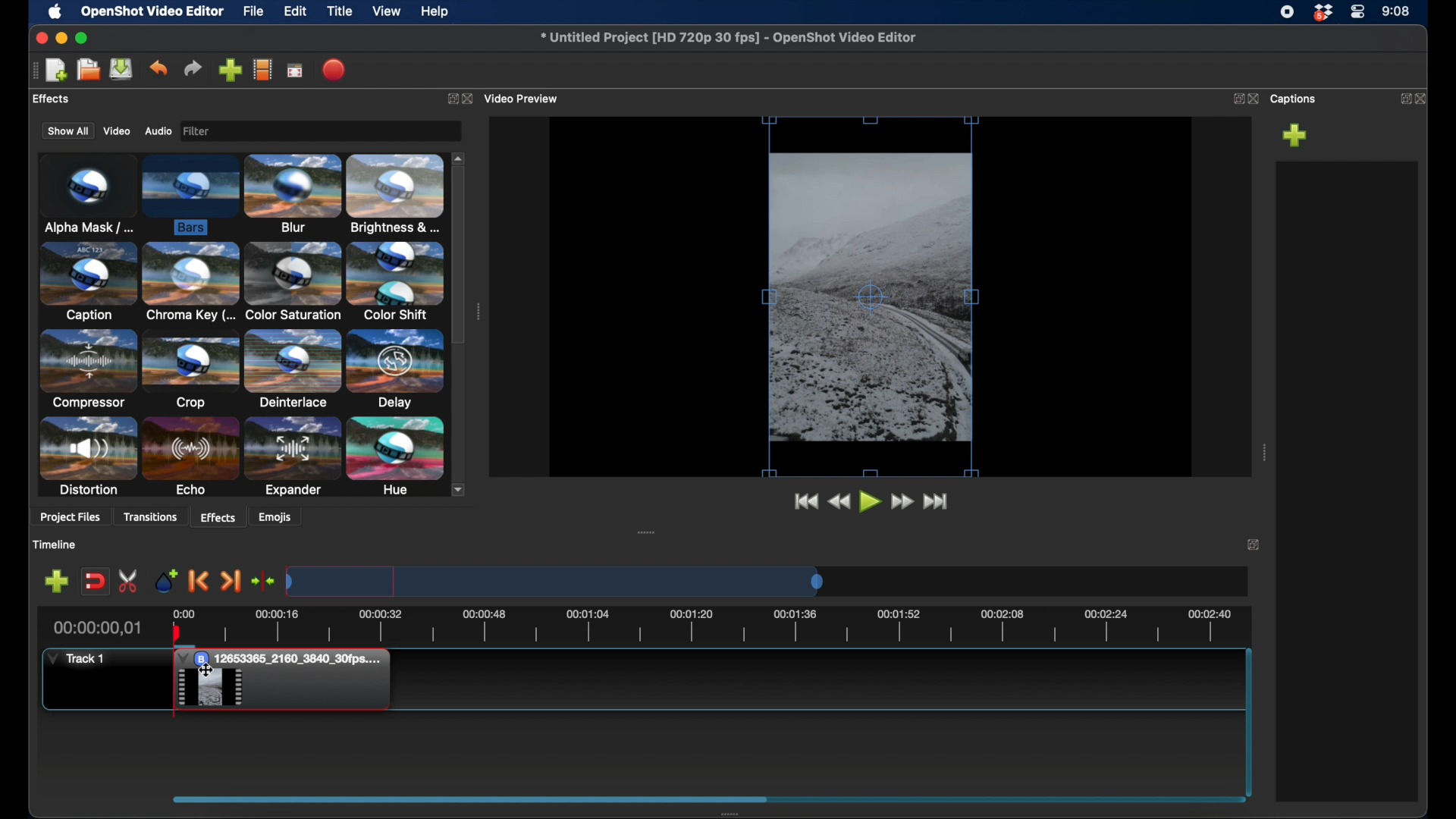 This screenshot has height=819, width=1456. What do you see at coordinates (193, 68) in the screenshot?
I see `redo` at bounding box center [193, 68].